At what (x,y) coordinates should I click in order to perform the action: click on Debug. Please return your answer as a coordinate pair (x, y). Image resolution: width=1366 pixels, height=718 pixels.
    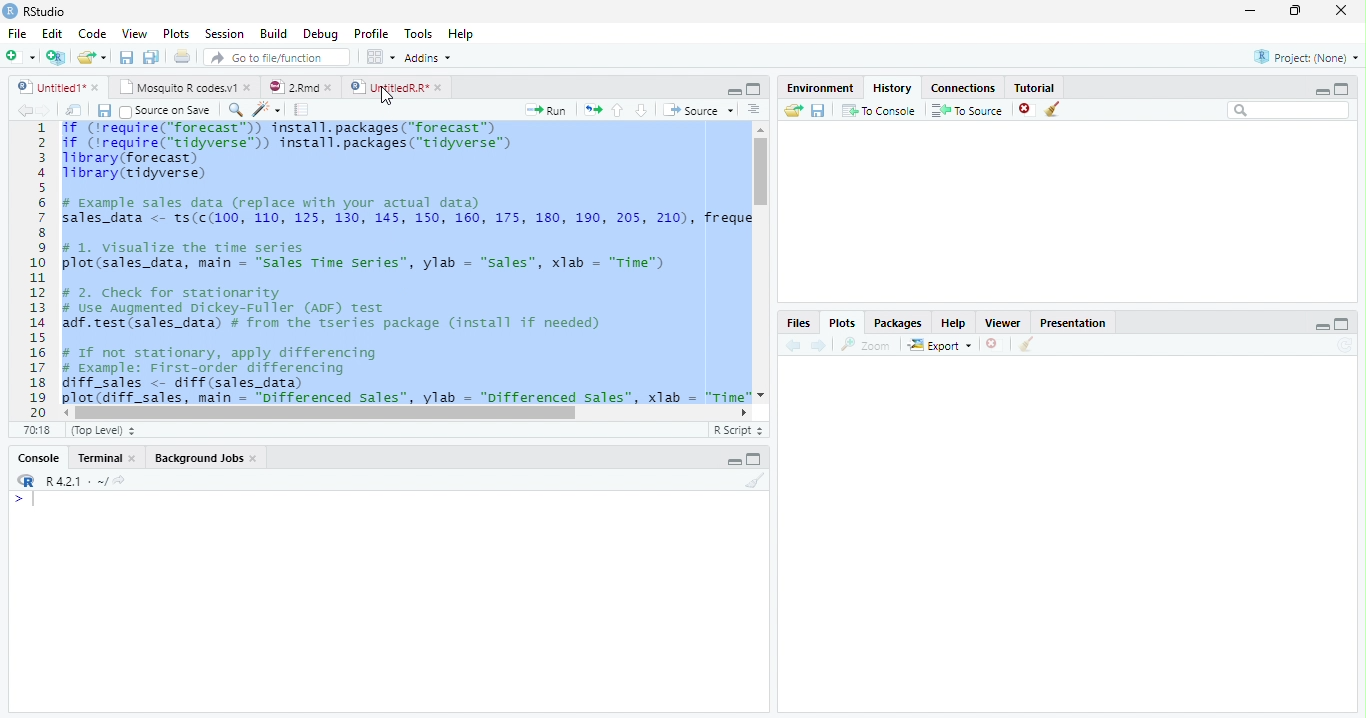
    Looking at the image, I should click on (321, 33).